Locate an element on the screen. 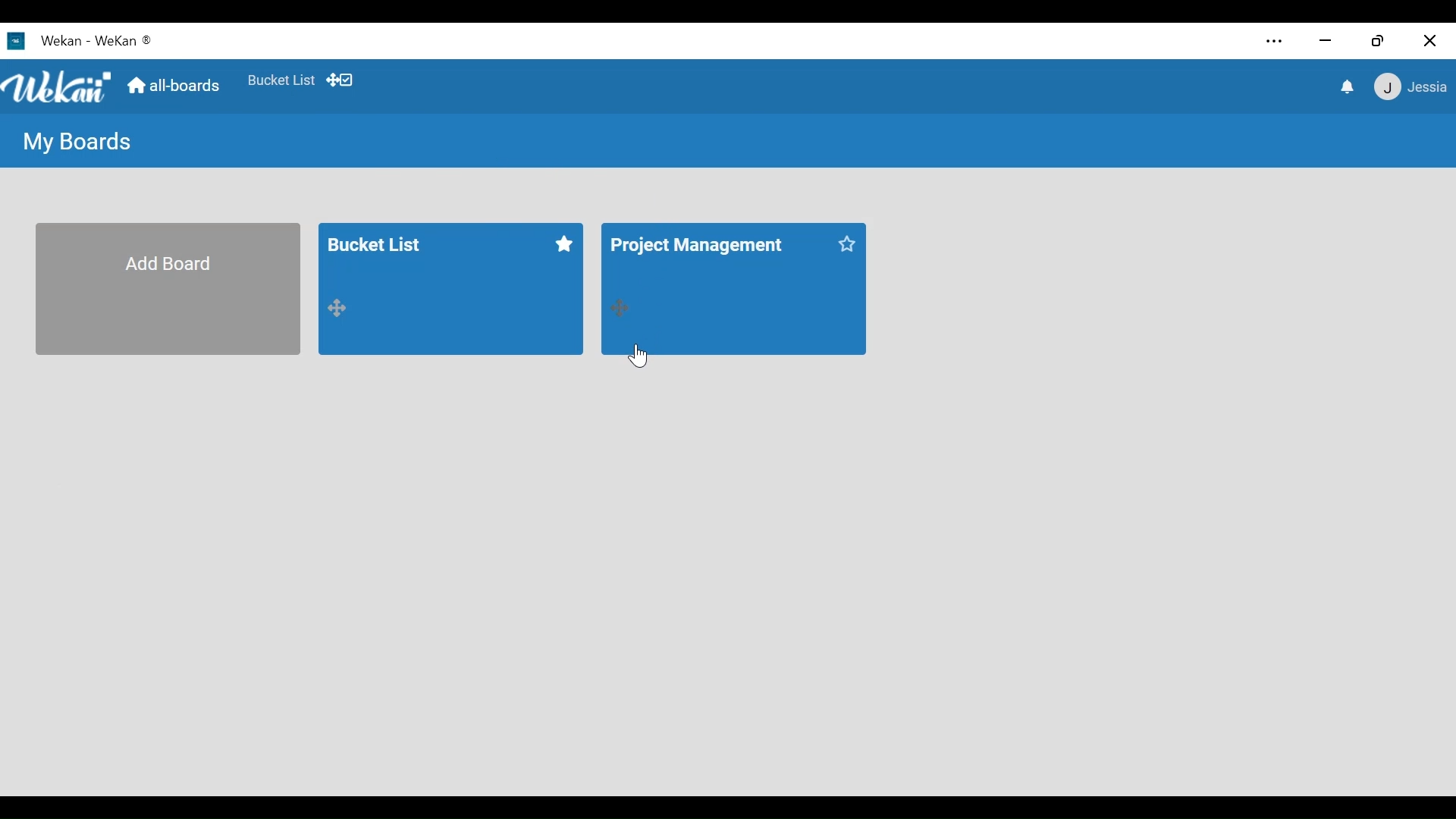 The height and width of the screenshot is (819, 1456). My Boards is located at coordinates (78, 143).